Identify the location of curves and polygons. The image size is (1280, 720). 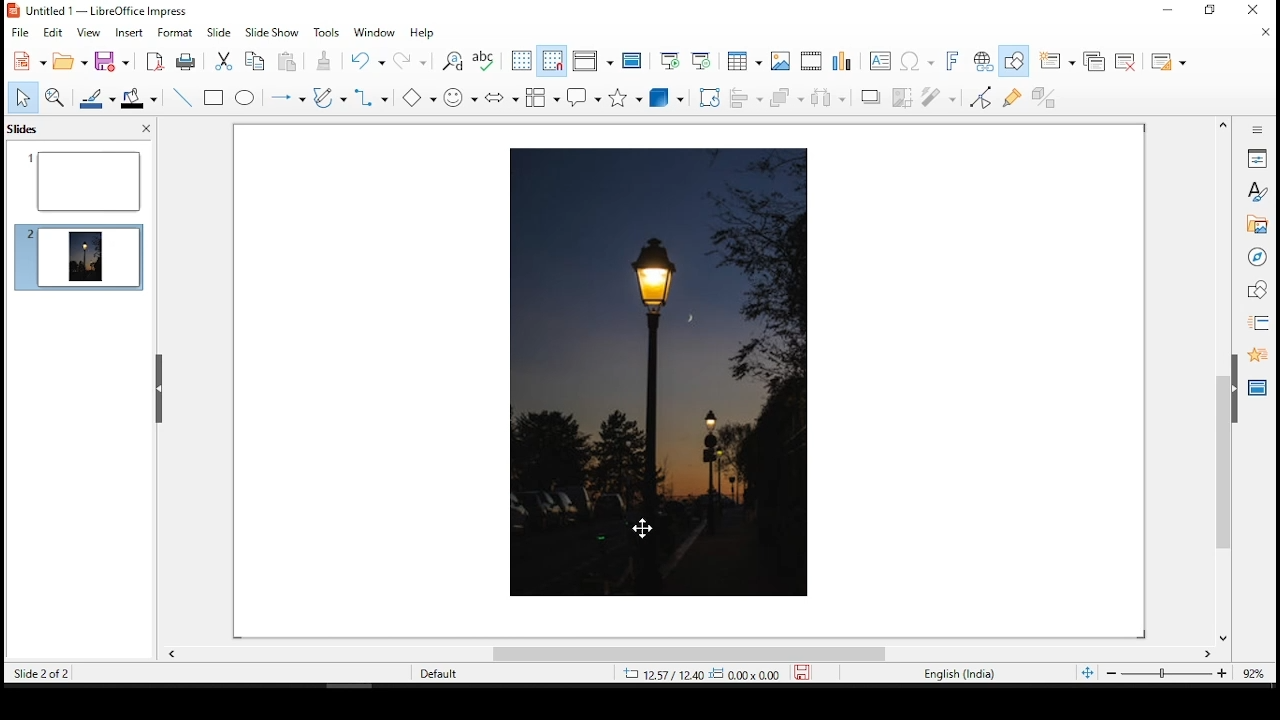
(327, 97).